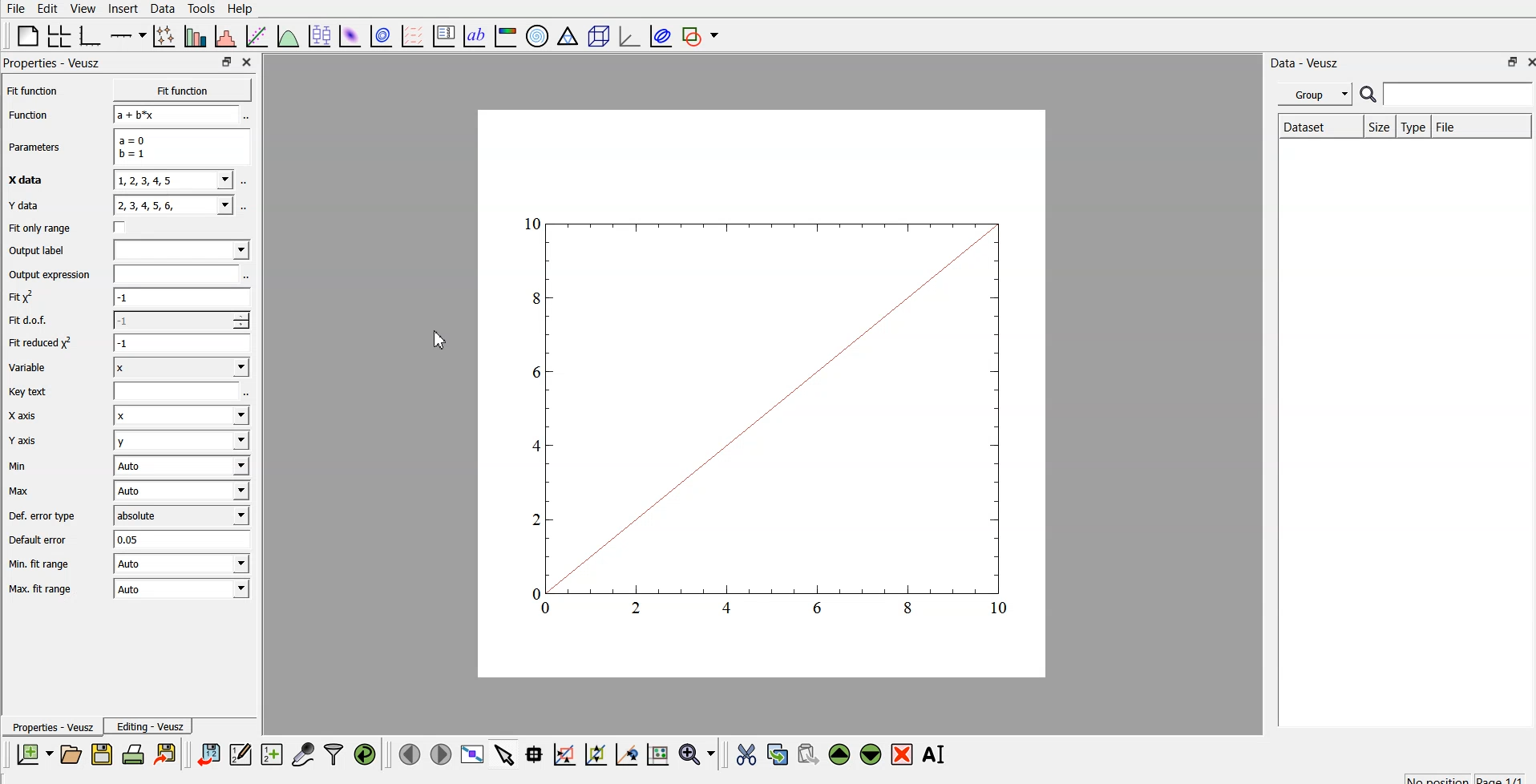 Image resolution: width=1536 pixels, height=784 pixels. I want to click on insert, so click(121, 8).